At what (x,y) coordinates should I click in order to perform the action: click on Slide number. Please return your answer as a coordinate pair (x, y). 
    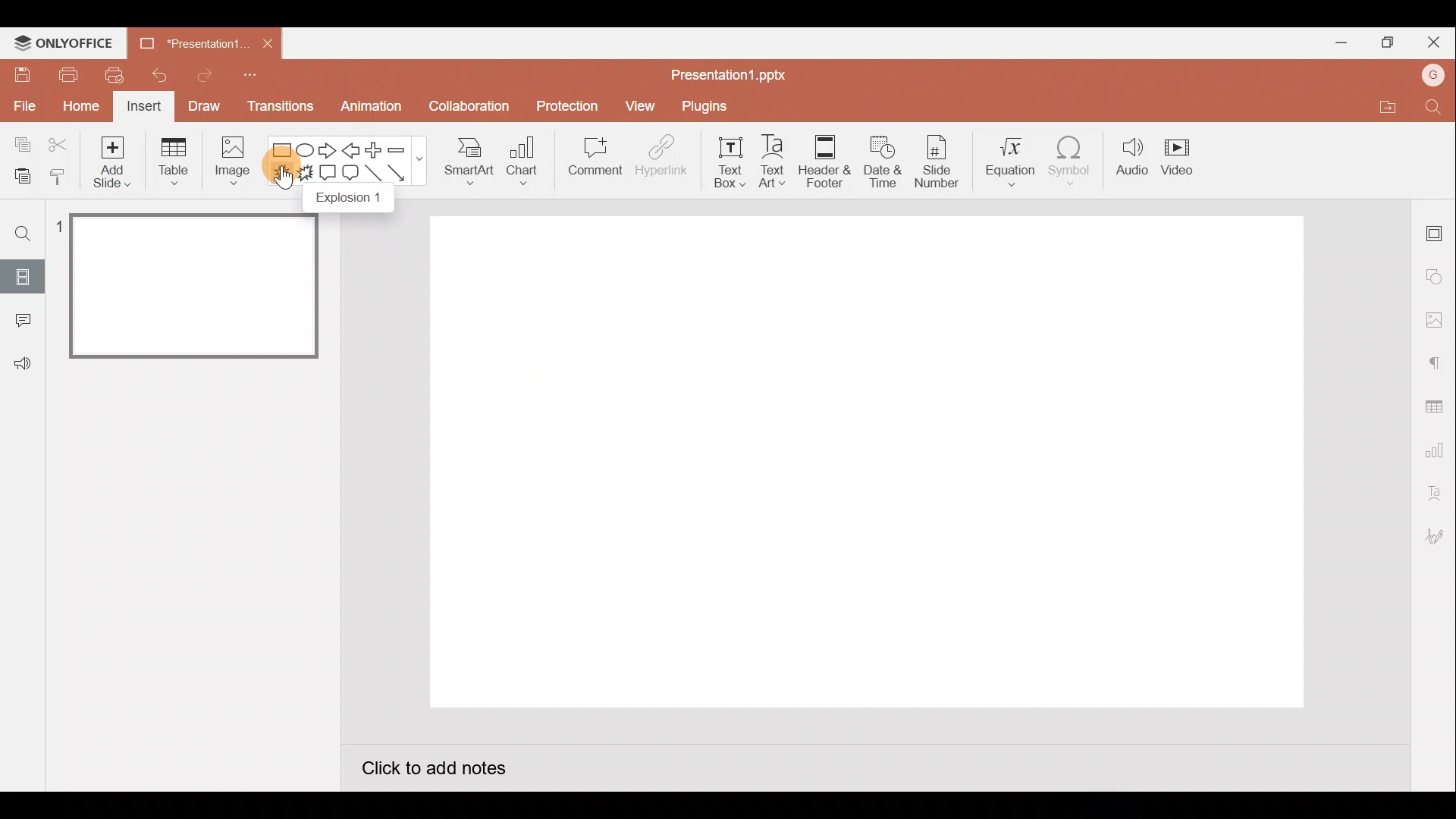
    Looking at the image, I should click on (934, 162).